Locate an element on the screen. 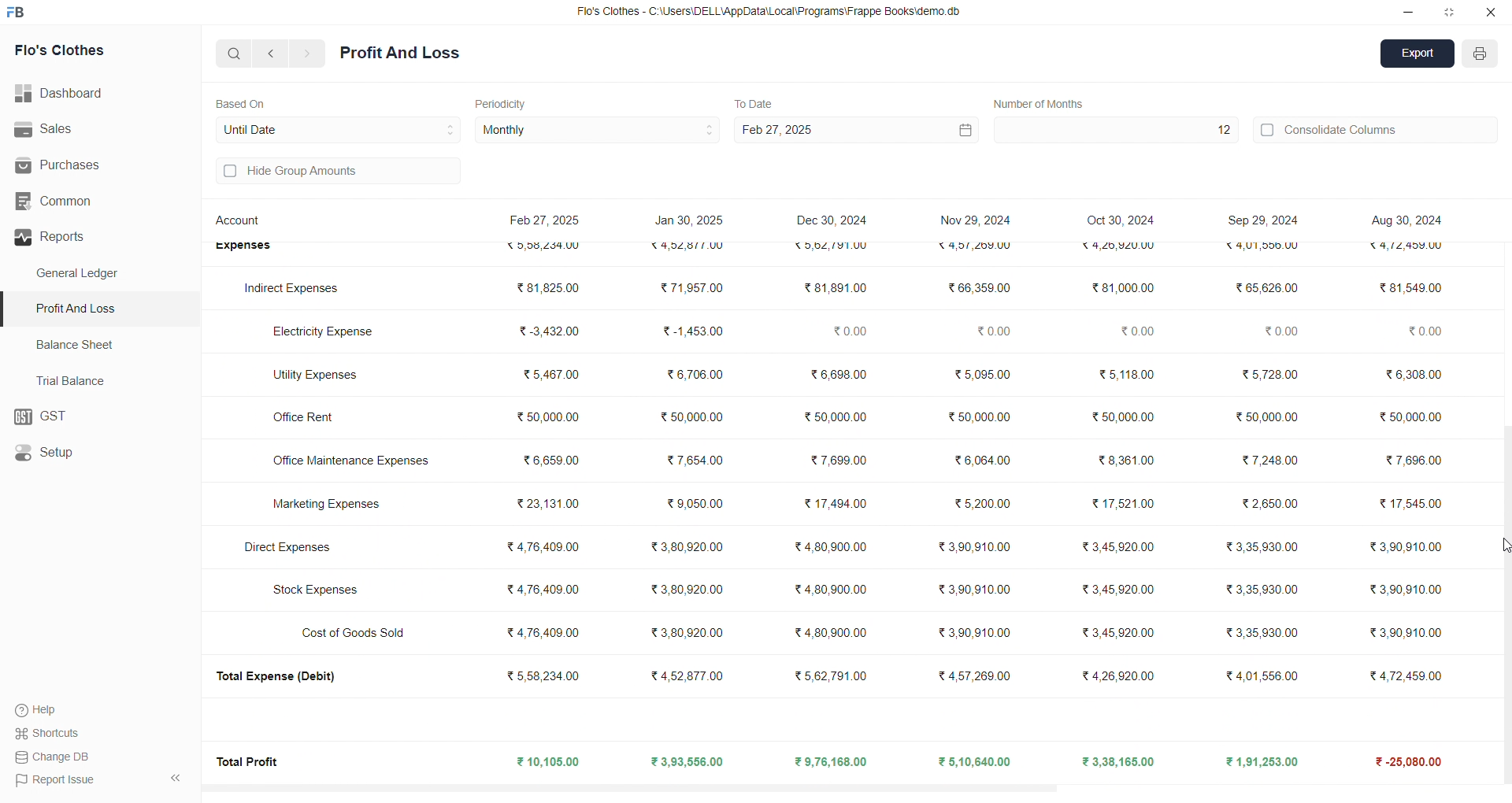 The width and height of the screenshot is (1512, 803). ₹8,361.00 is located at coordinates (1125, 460).